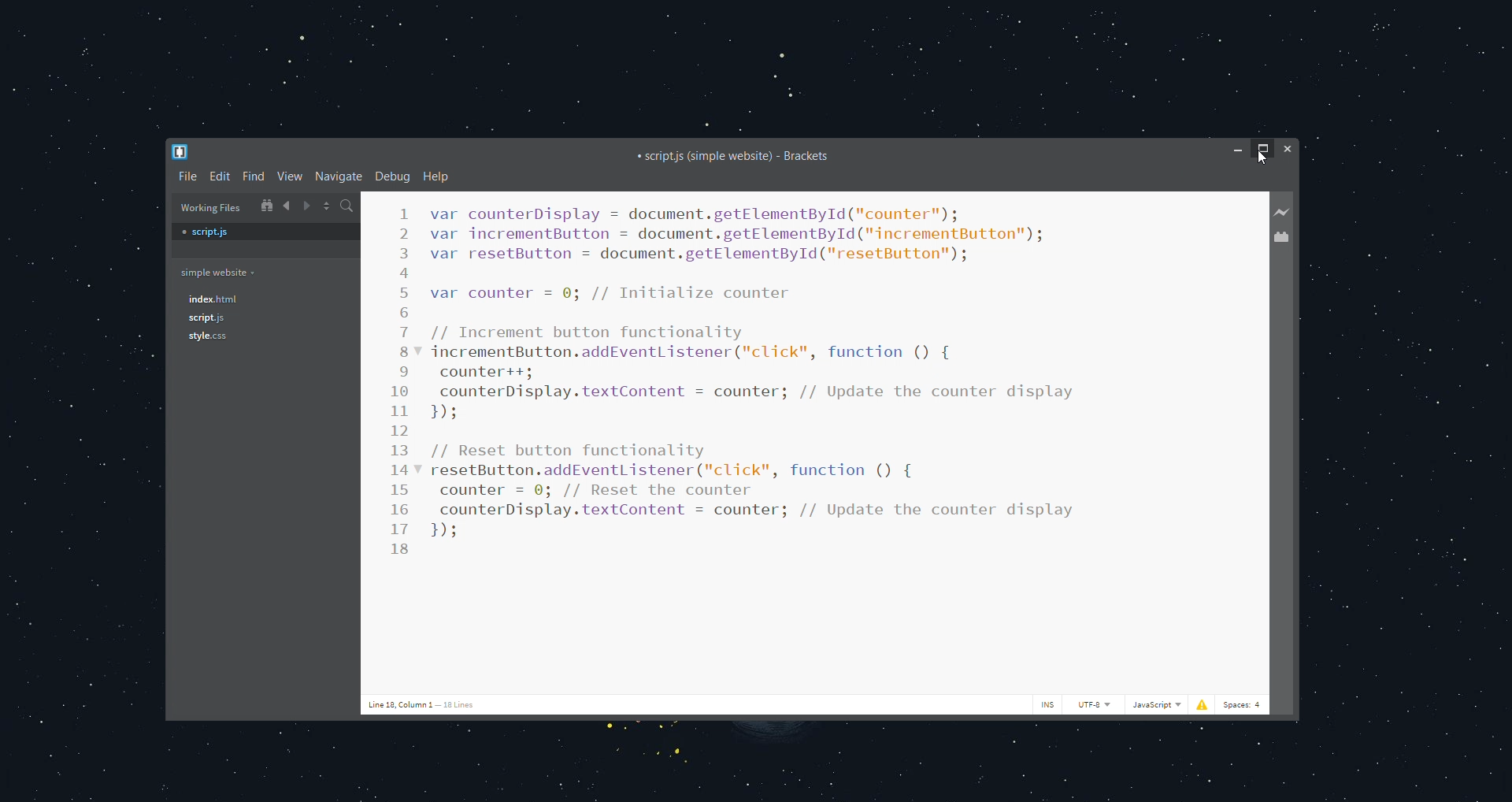 This screenshot has height=802, width=1512. I want to click on navigate, so click(340, 177).